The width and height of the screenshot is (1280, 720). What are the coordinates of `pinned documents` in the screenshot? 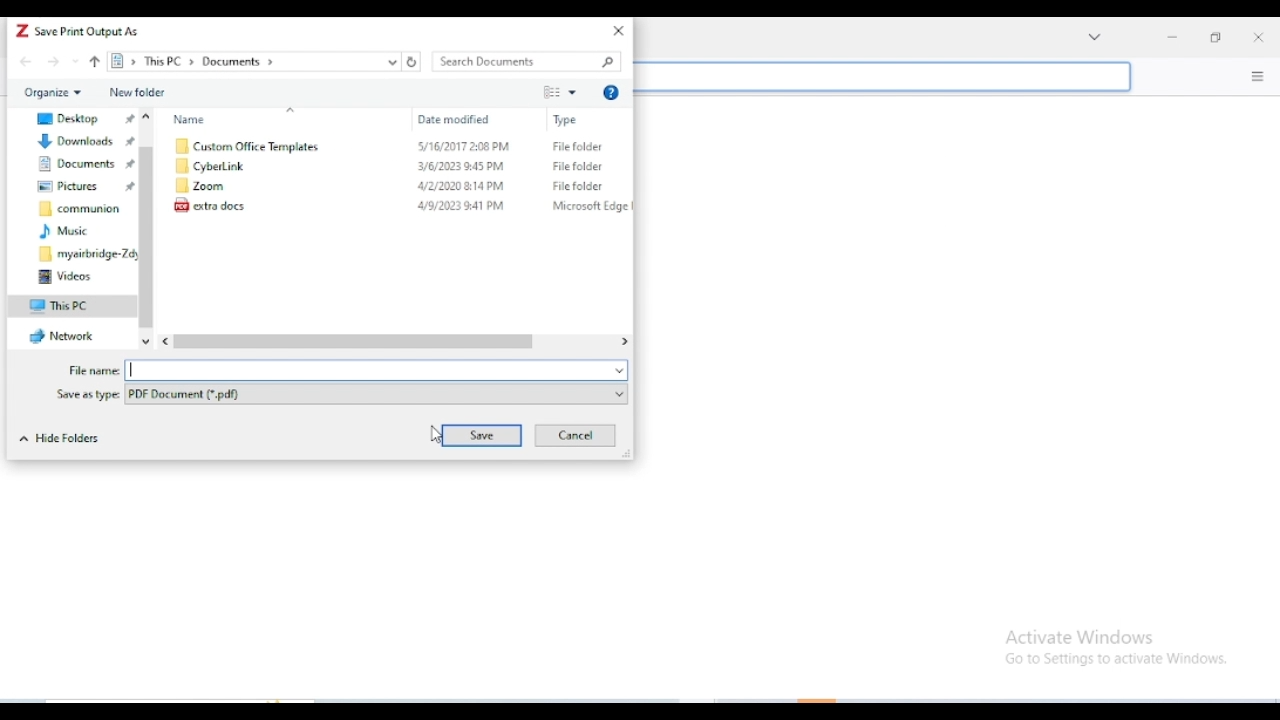 It's located at (85, 163).